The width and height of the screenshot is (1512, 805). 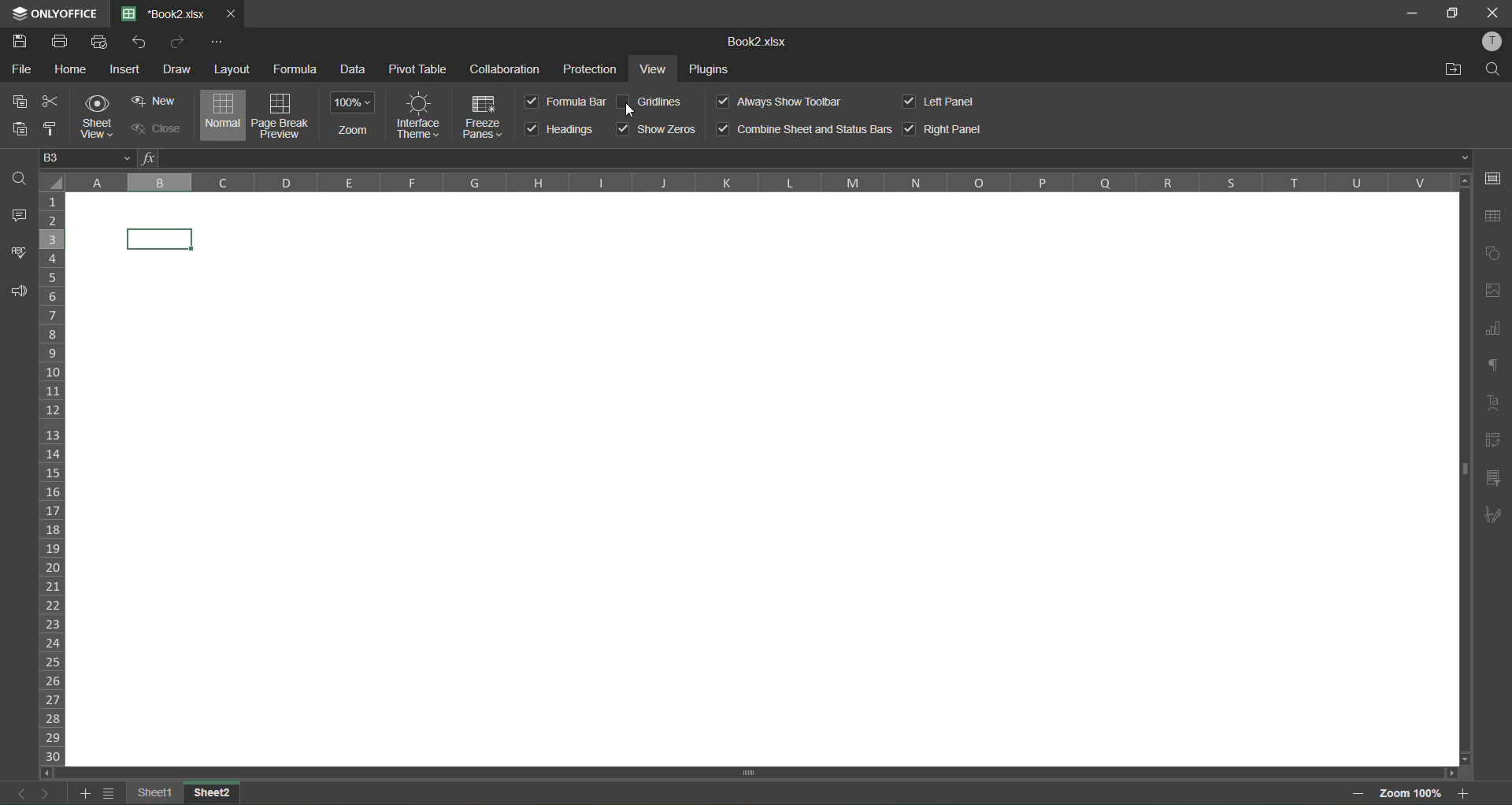 I want to click on data, so click(x=356, y=71).